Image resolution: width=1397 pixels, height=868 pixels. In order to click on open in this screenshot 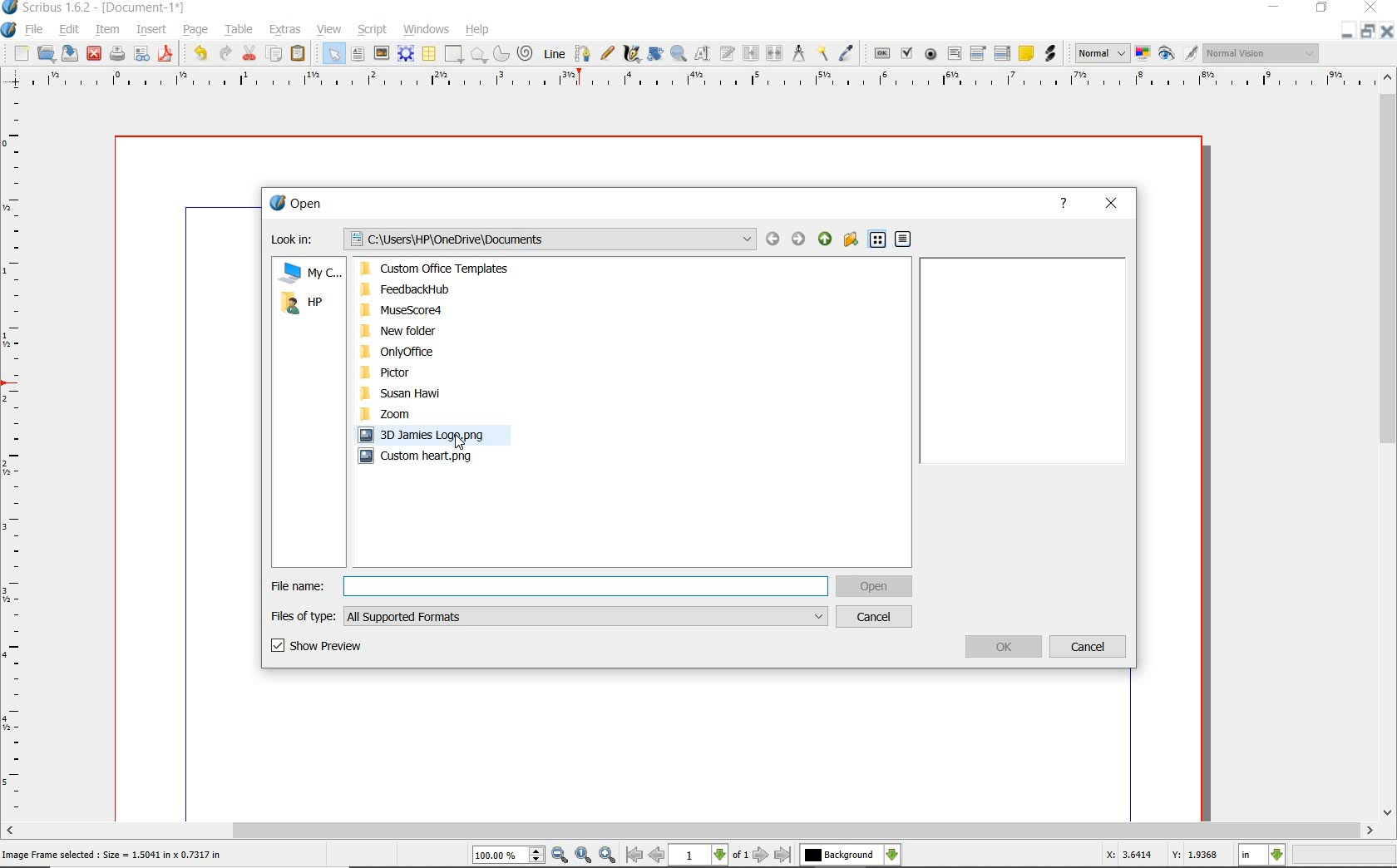, I will do `click(297, 204)`.